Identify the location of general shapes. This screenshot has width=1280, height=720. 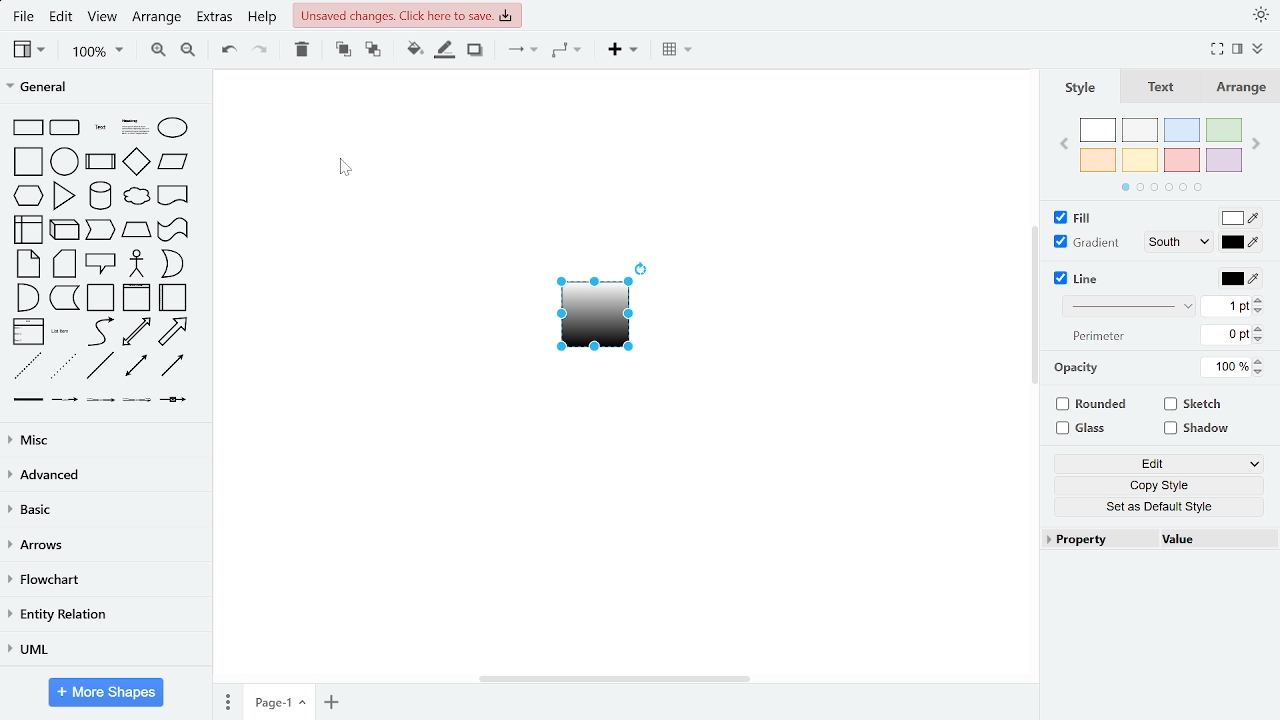
(172, 162).